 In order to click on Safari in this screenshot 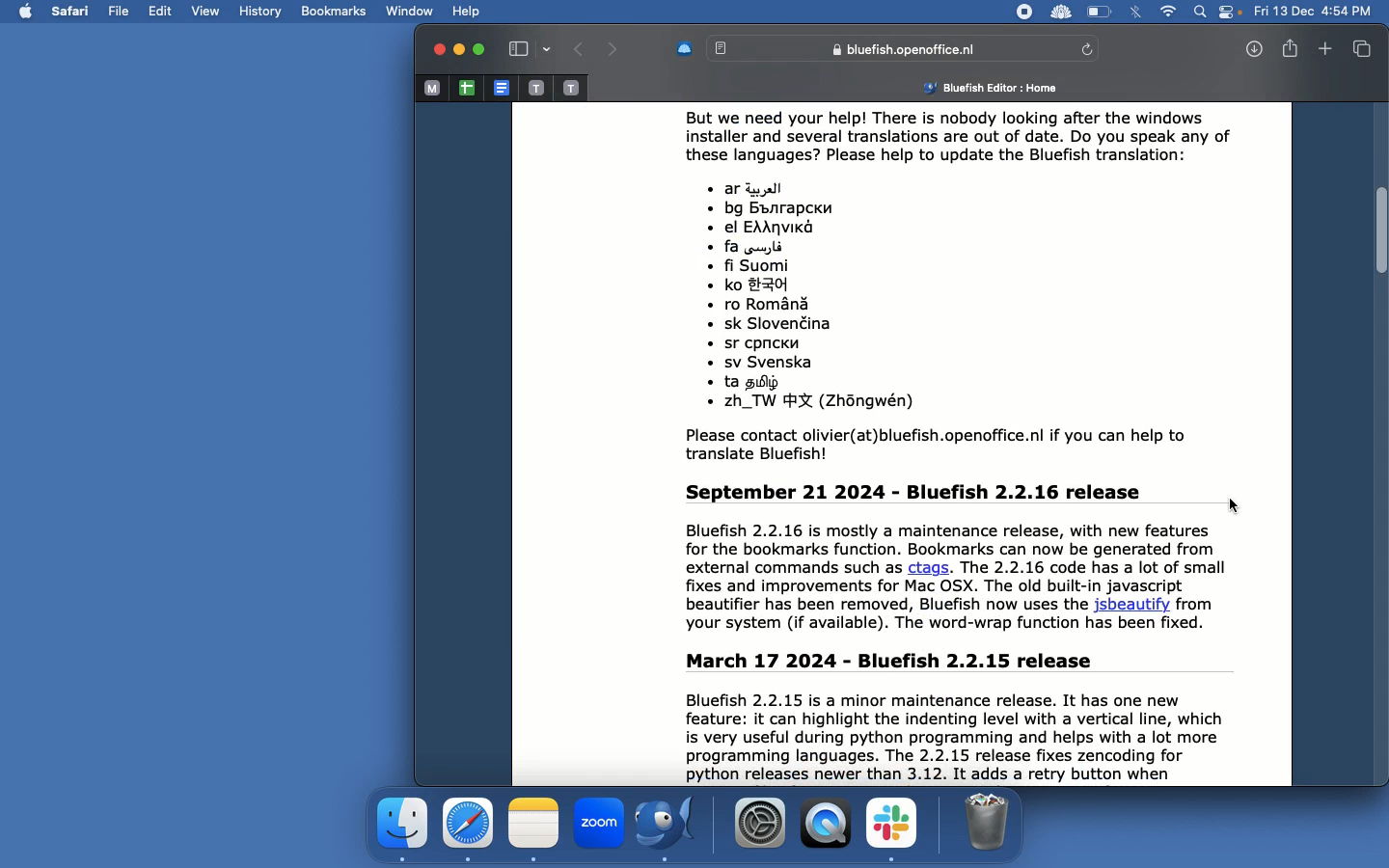, I will do `click(73, 10)`.